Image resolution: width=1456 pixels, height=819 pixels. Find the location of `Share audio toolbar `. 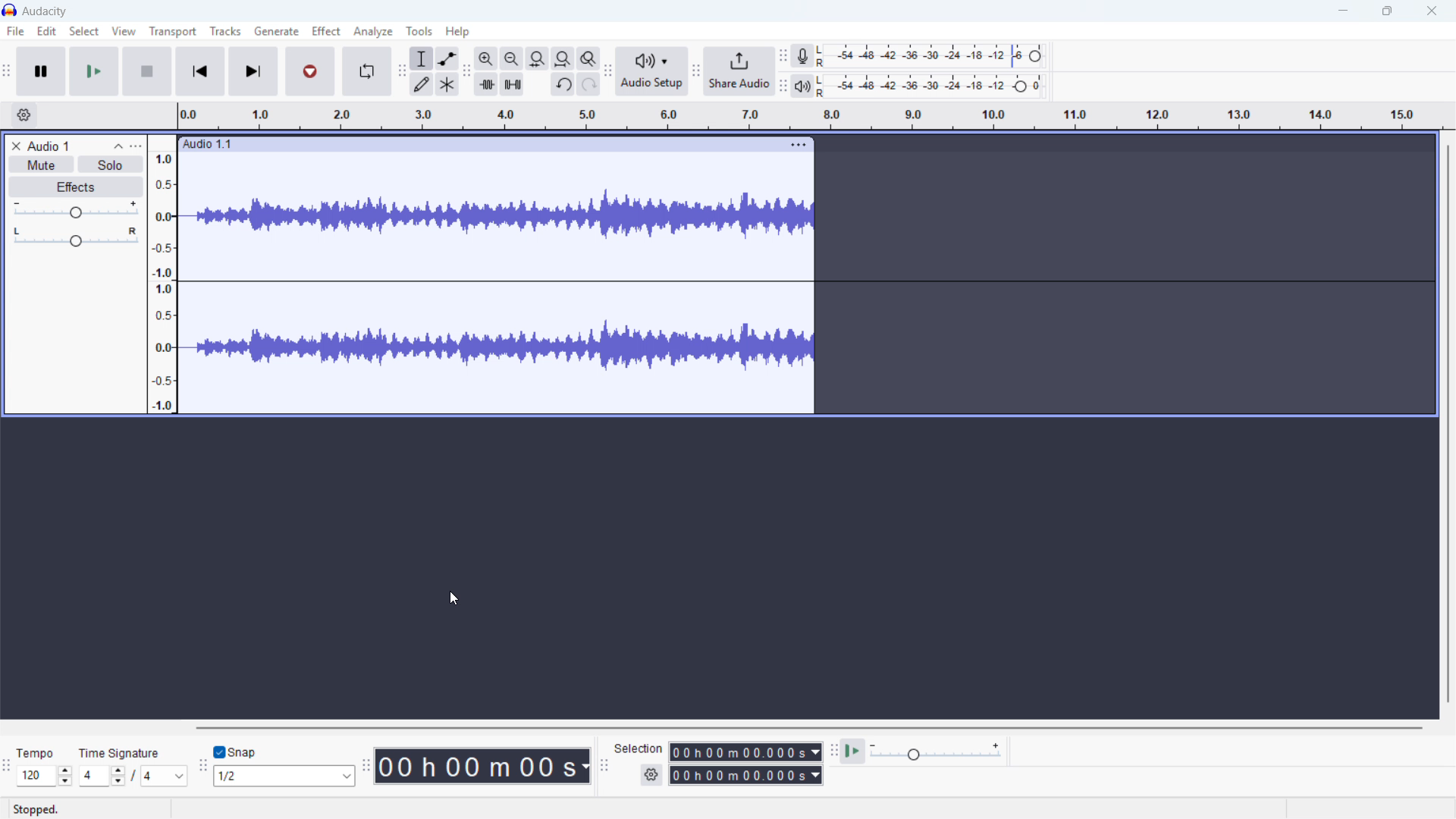

Share audio toolbar  is located at coordinates (696, 71).